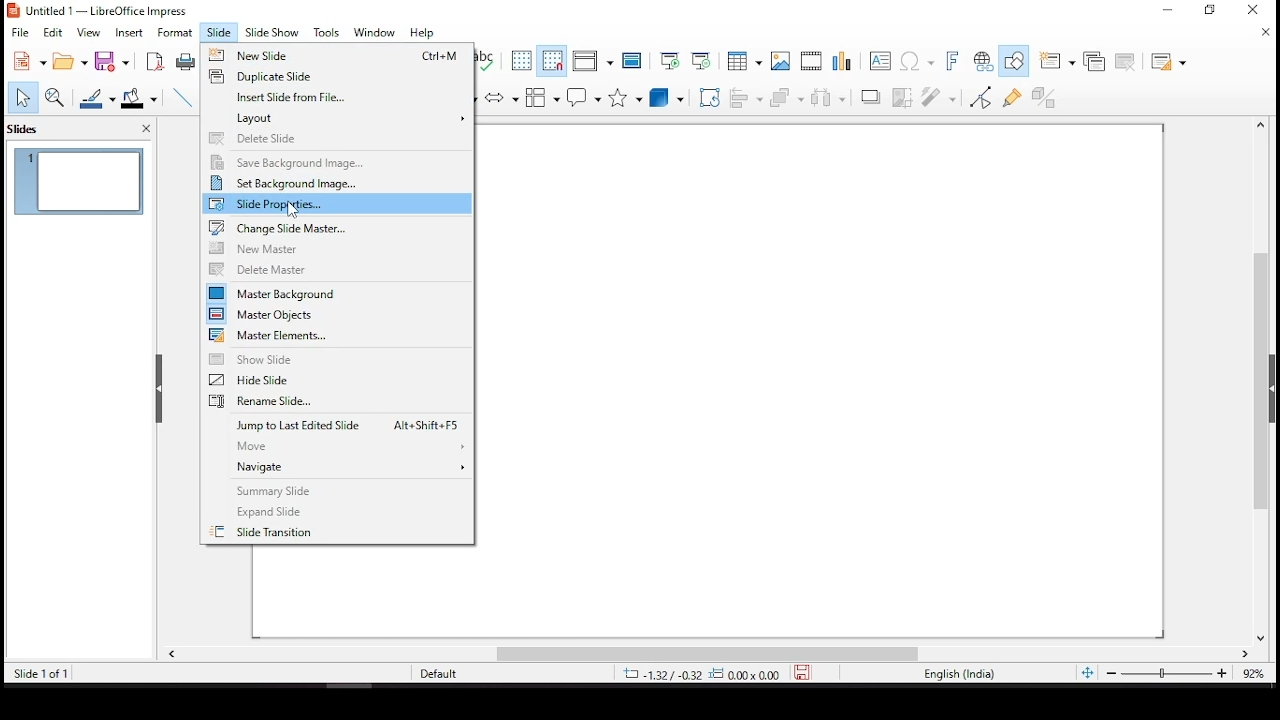 Image resolution: width=1280 pixels, height=720 pixels. What do you see at coordinates (555, 60) in the screenshot?
I see `snap to grid` at bounding box center [555, 60].